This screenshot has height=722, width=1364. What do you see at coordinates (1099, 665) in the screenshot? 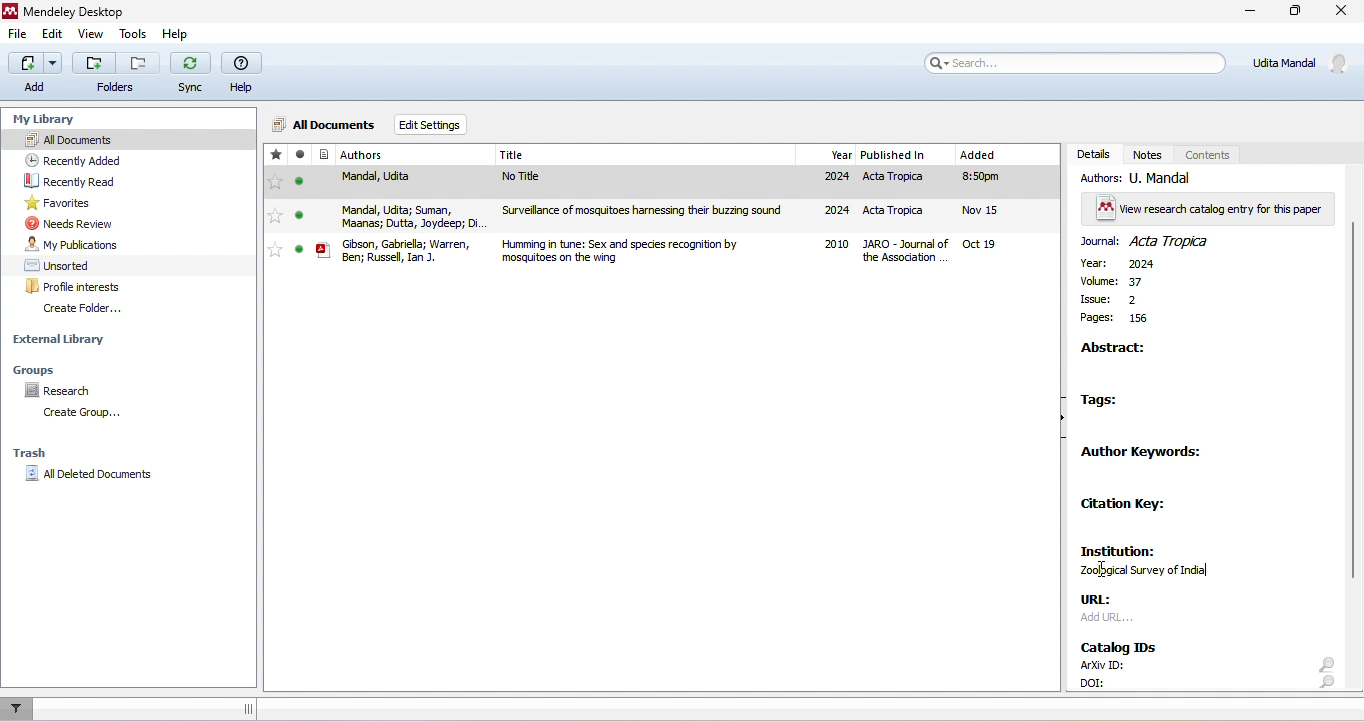
I see `ar-xiv id` at bounding box center [1099, 665].